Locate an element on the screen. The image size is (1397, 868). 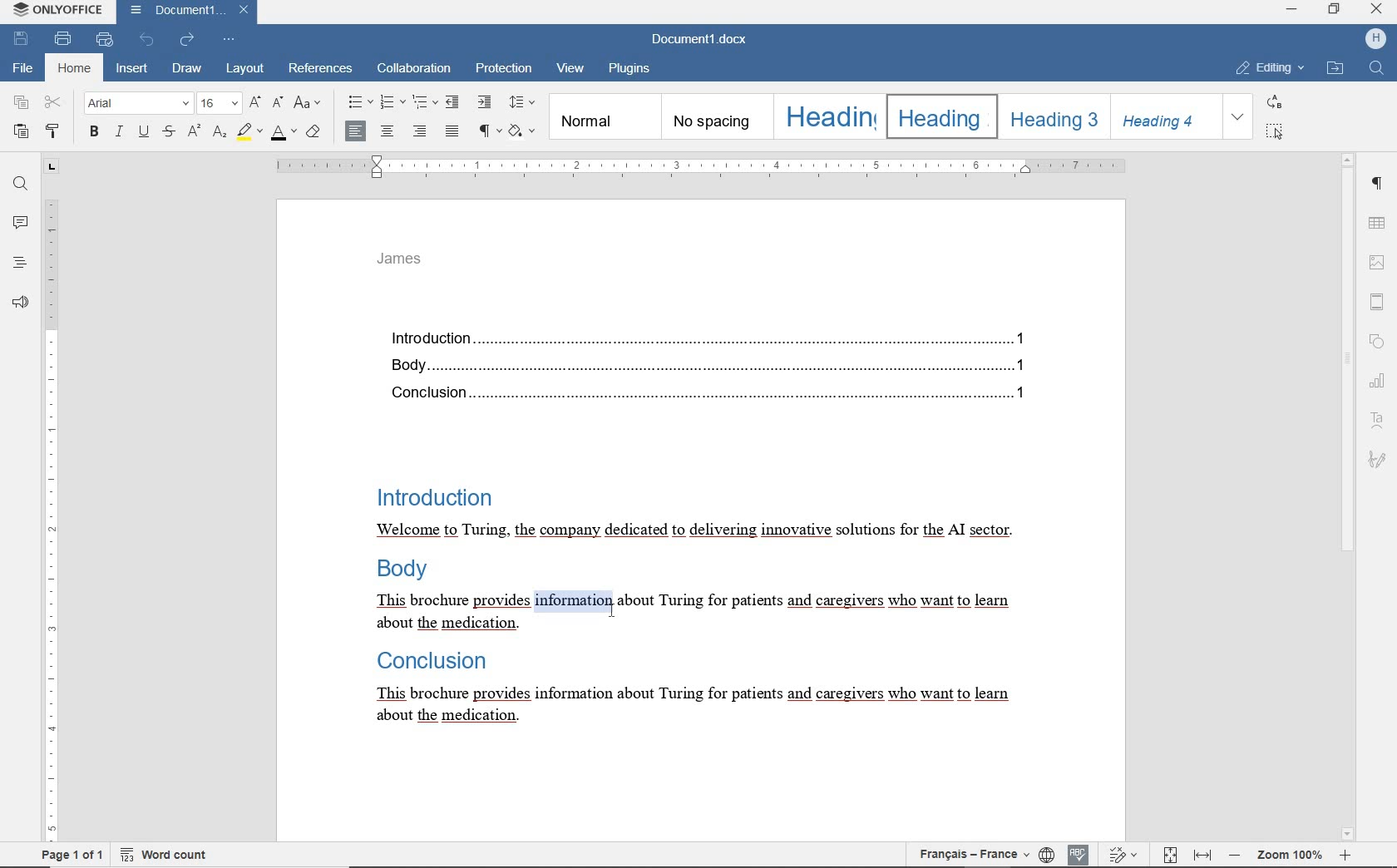
BULLETS is located at coordinates (358, 104).